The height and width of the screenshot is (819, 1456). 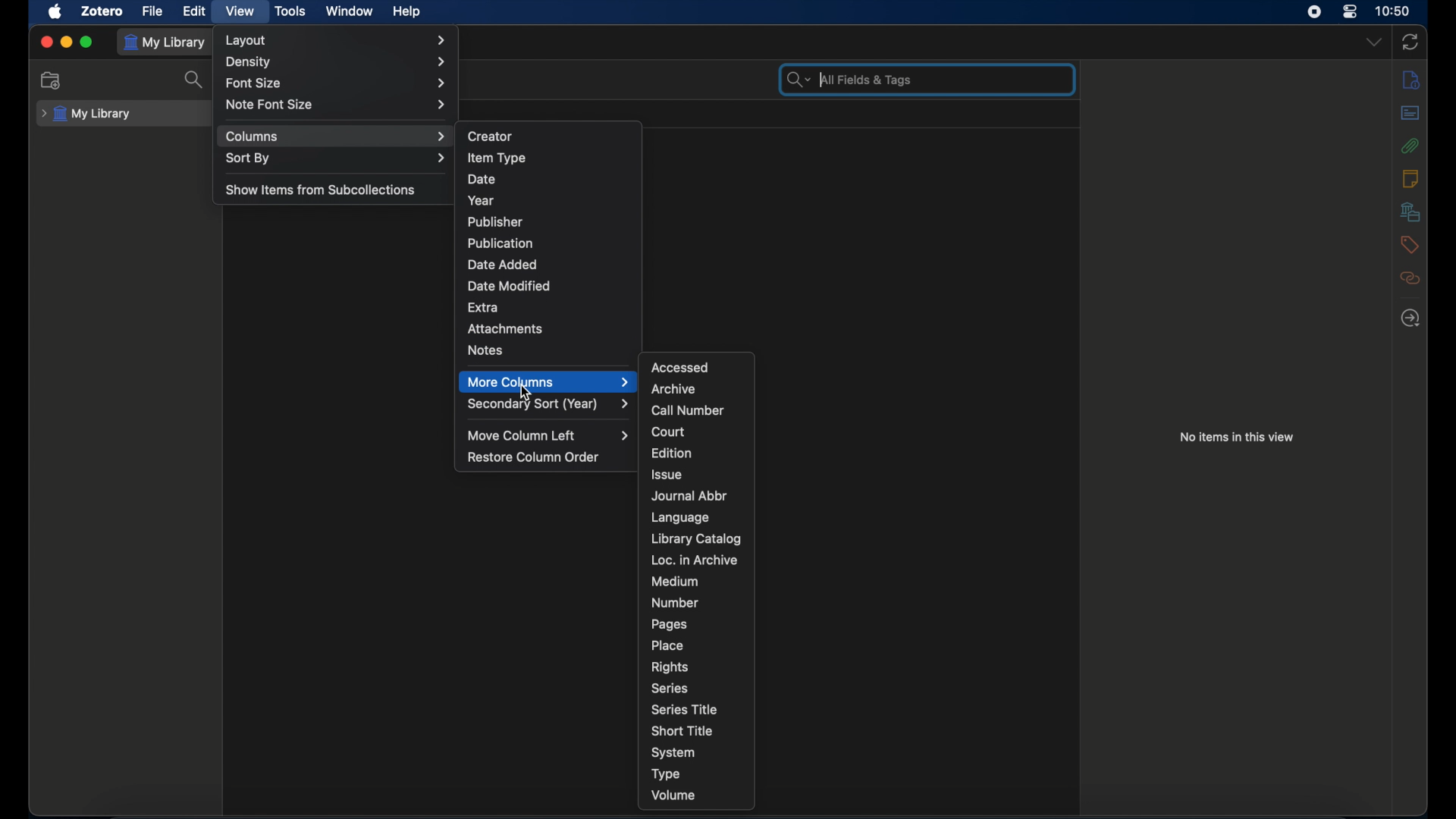 What do you see at coordinates (406, 12) in the screenshot?
I see `help` at bounding box center [406, 12].